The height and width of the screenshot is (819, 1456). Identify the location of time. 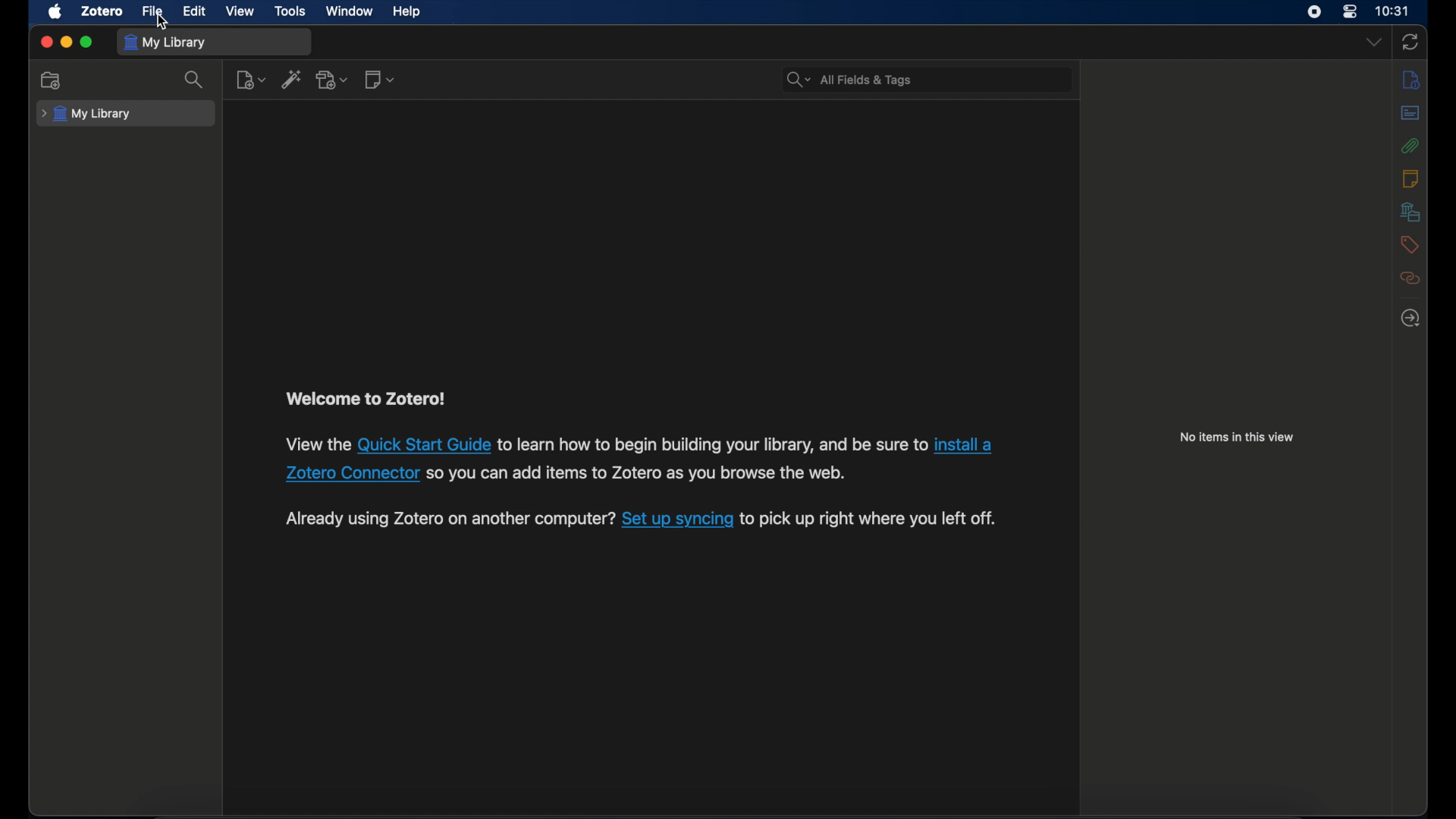
(1393, 10).